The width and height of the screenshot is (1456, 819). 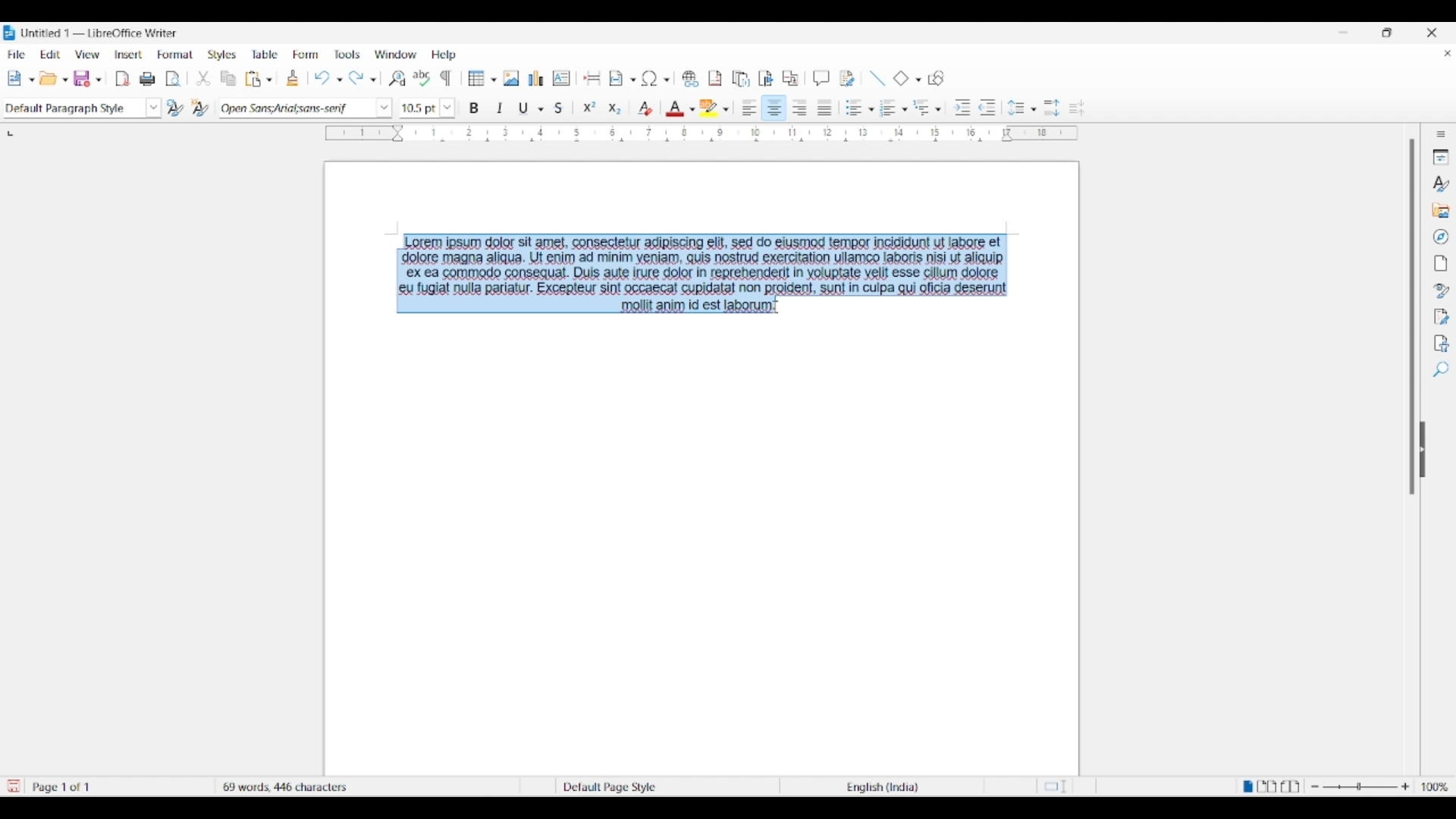 What do you see at coordinates (1436, 786) in the screenshot?
I see `100%` at bounding box center [1436, 786].